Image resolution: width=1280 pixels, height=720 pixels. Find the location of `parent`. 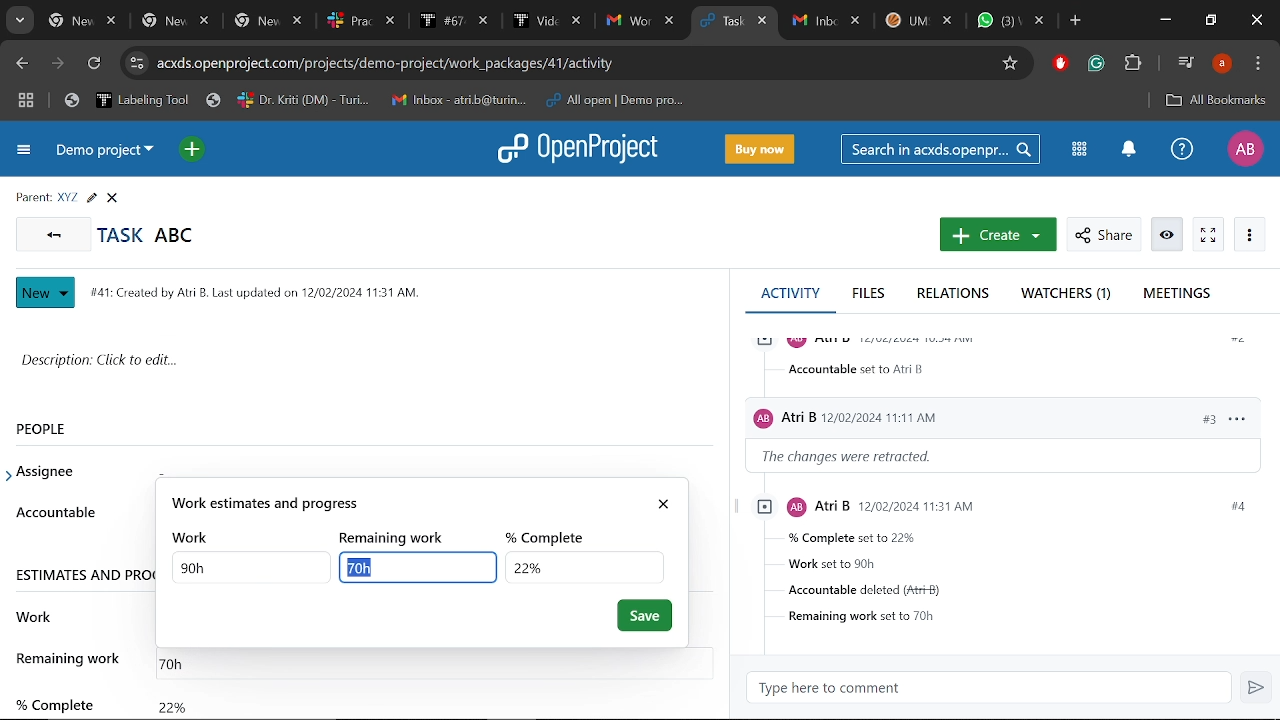

parent is located at coordinates (29, 196).